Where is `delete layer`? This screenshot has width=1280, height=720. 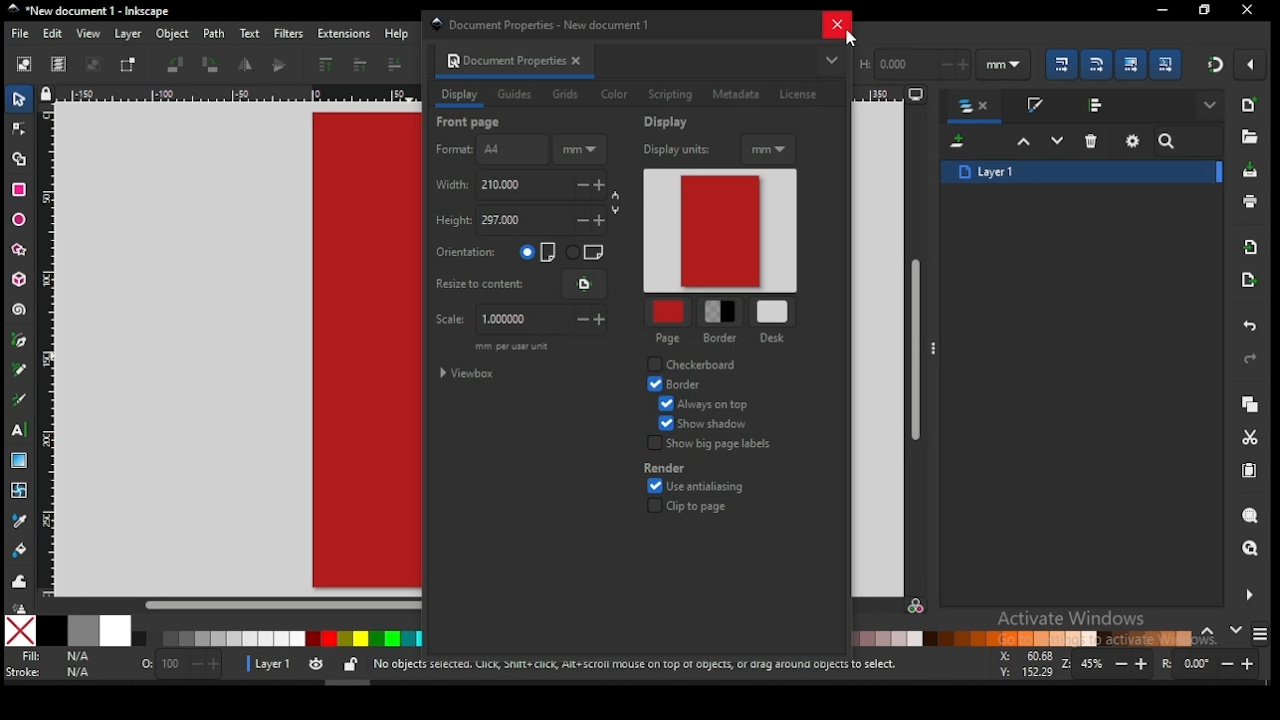
delete layer is located at coordinates (1092, 140).